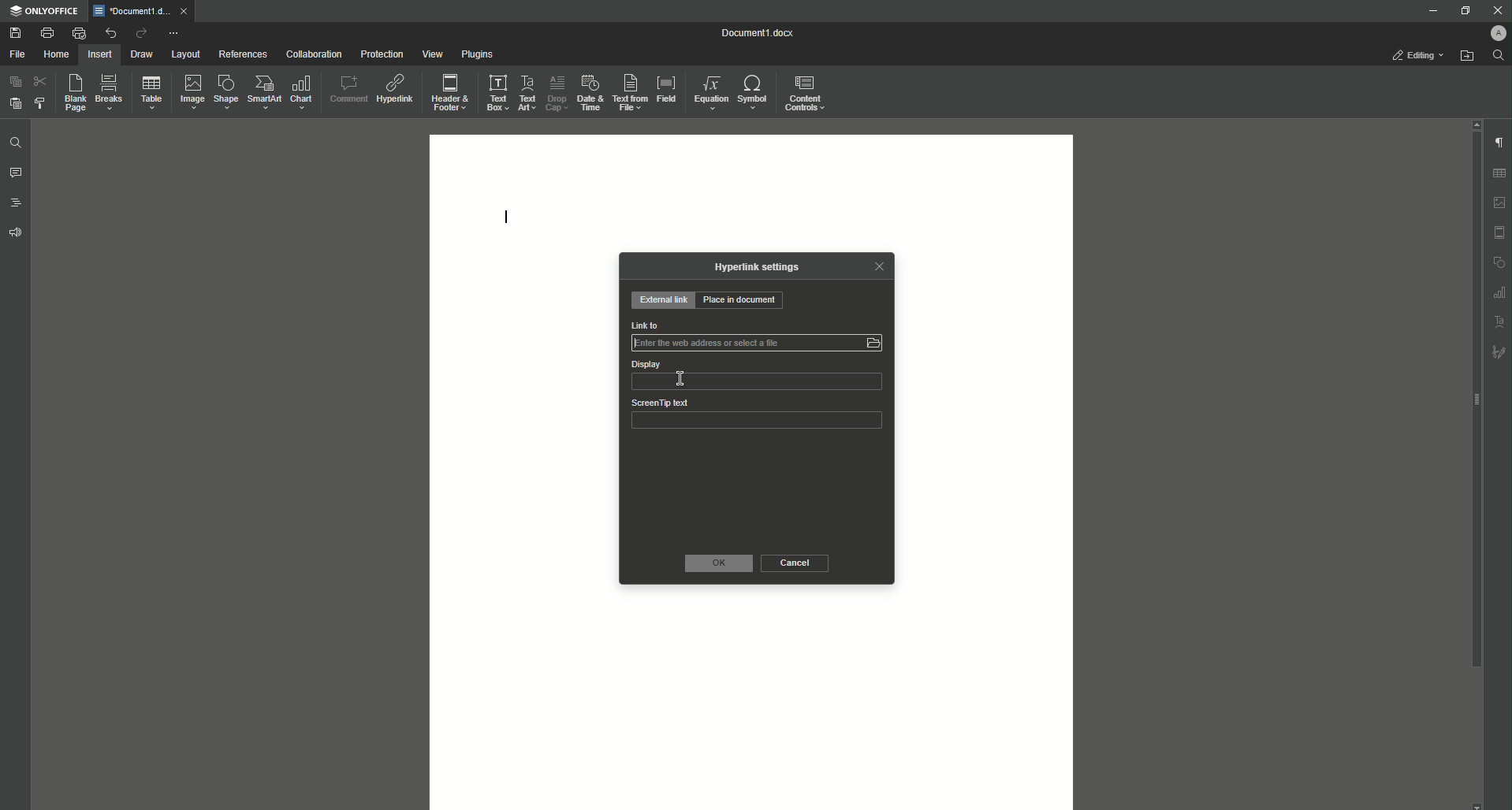  I want to click on Signature settings, so click(1501, 351).